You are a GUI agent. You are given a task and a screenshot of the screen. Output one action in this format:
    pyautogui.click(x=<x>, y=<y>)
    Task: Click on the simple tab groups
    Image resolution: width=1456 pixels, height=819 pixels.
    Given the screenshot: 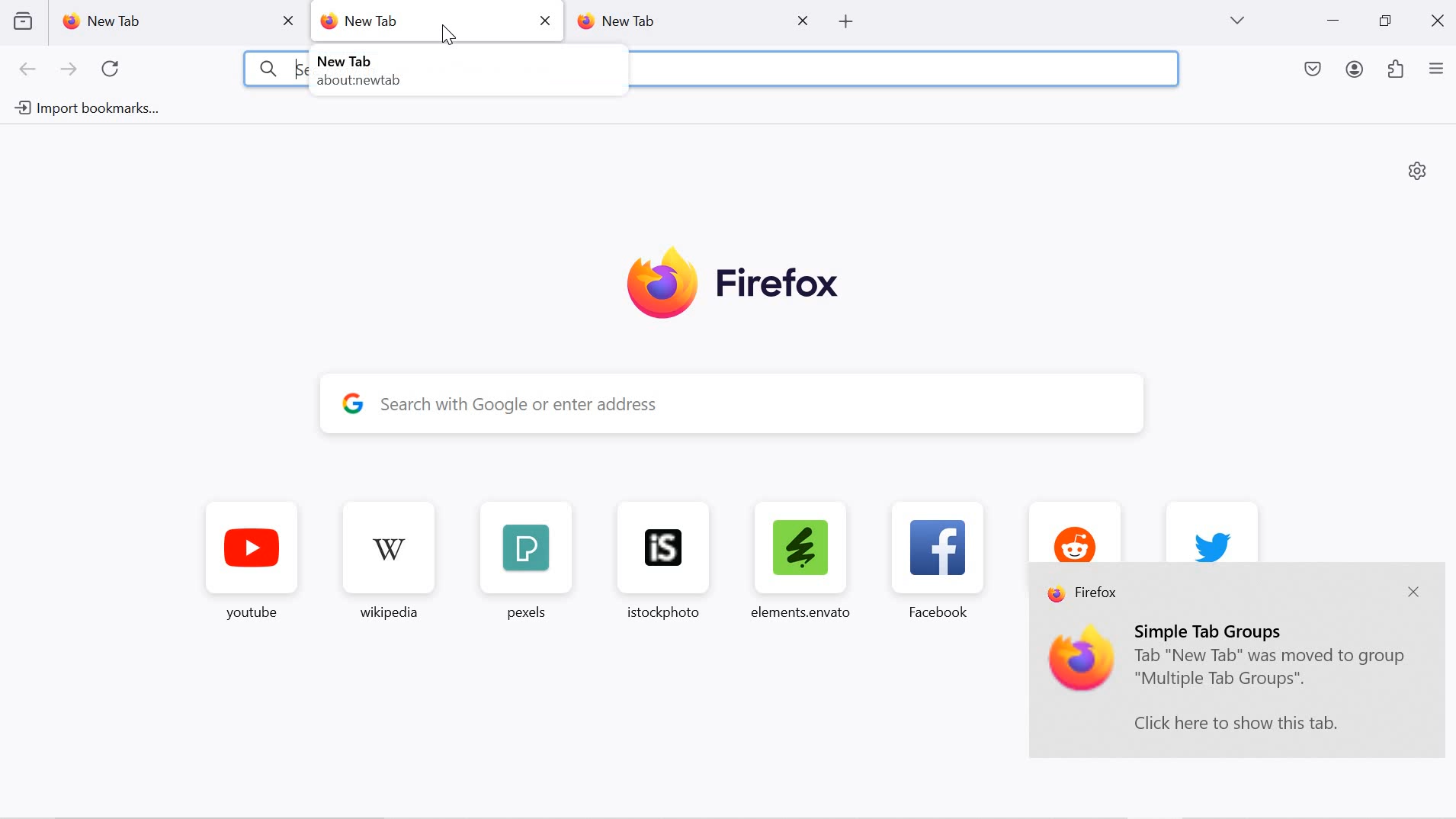 What is the action you would take?
    pyautogui.click(x=1212, y=631)
    